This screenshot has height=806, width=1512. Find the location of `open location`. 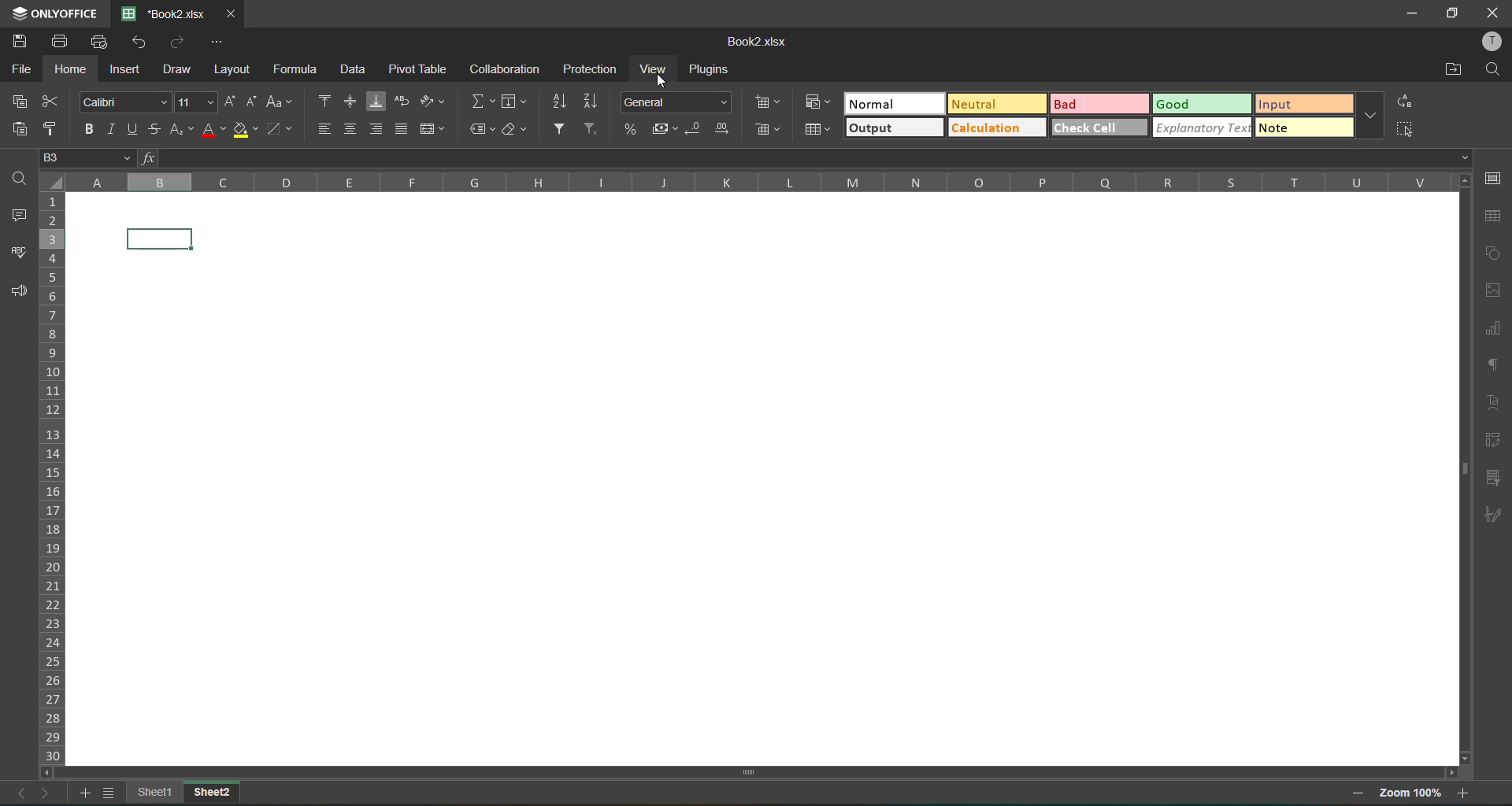

open location is located at coordinates (1457, 68).